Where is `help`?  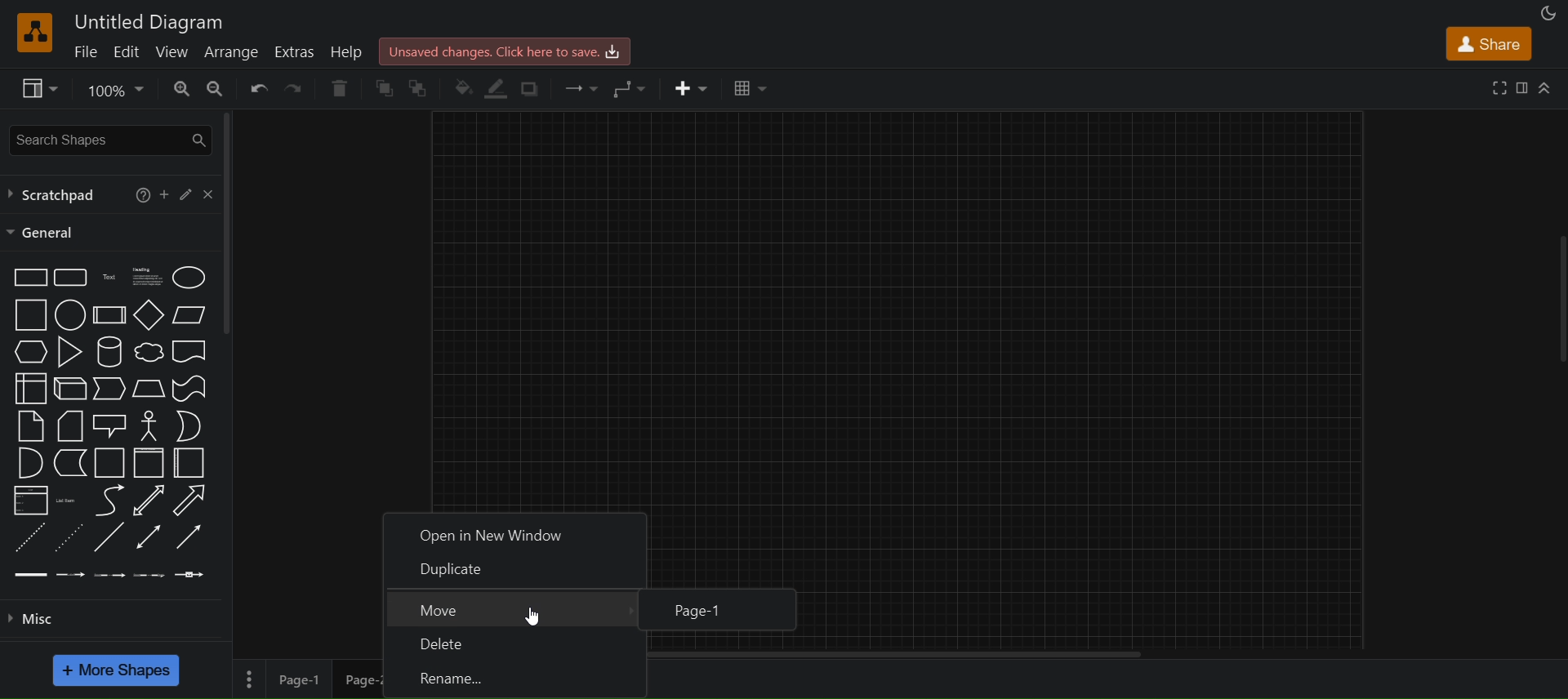
help is located at coordinates (140, 195).